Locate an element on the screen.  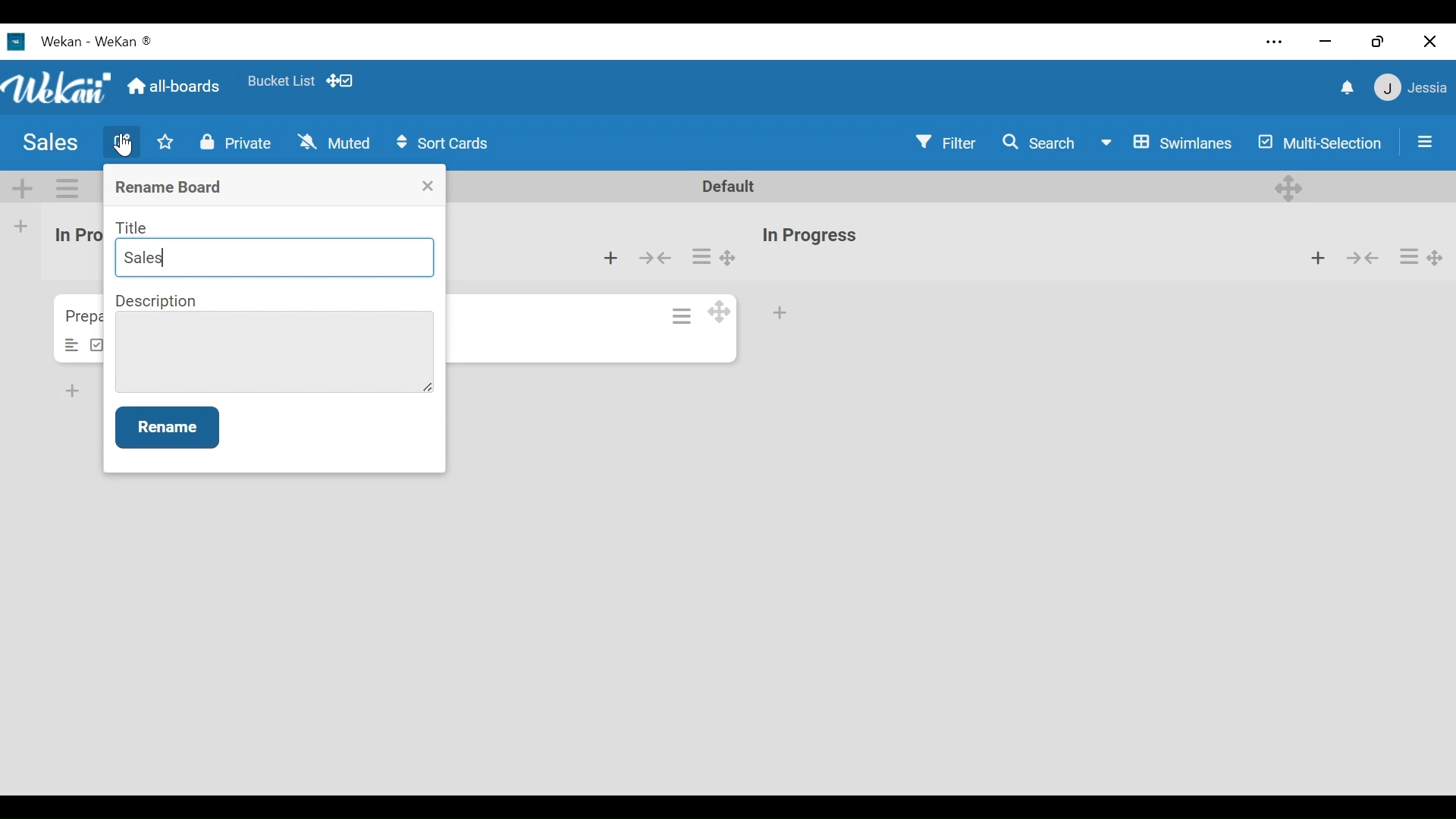
Close is located at coordinates (428, 186).